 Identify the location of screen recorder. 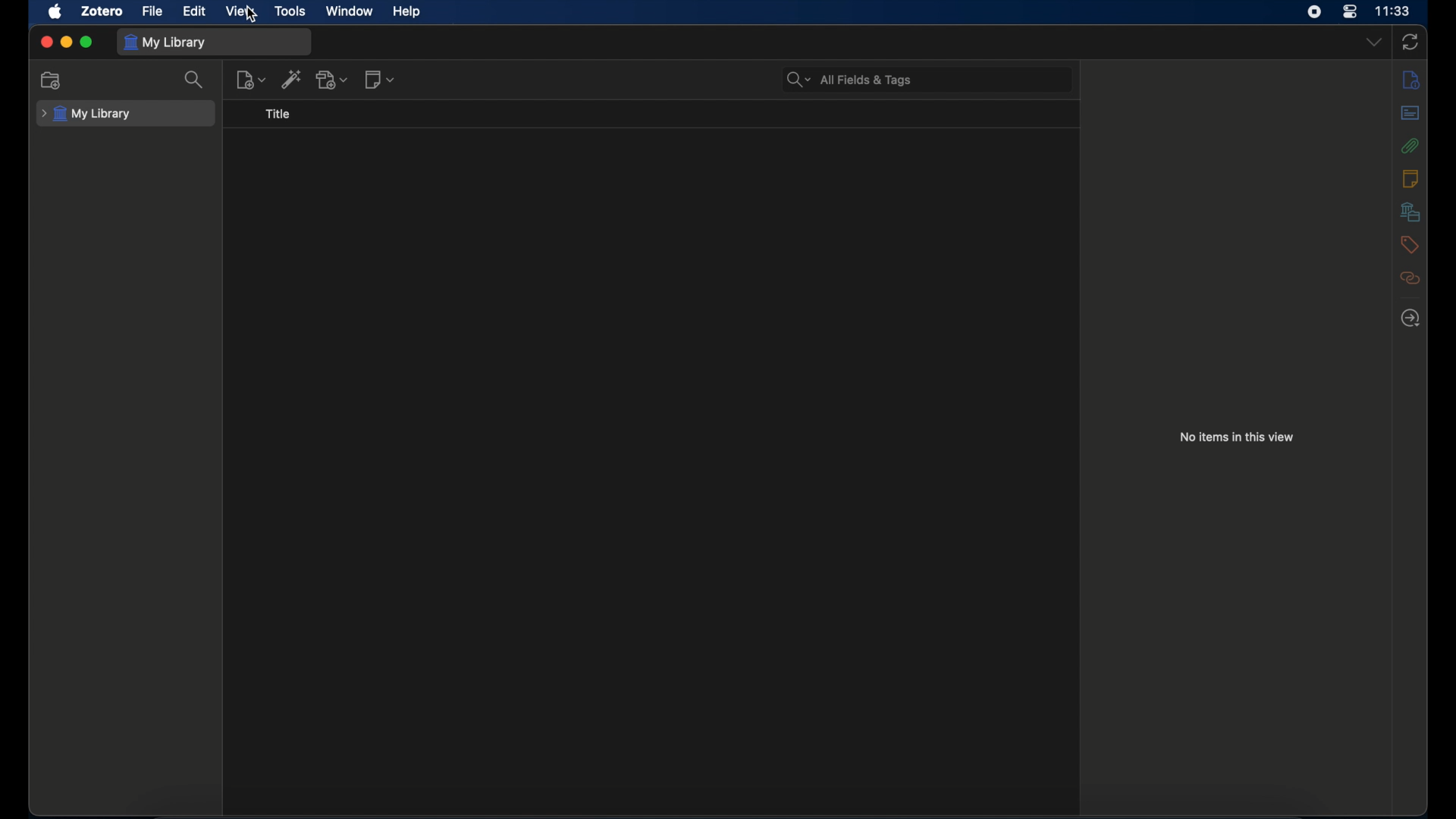
(1314, 12).